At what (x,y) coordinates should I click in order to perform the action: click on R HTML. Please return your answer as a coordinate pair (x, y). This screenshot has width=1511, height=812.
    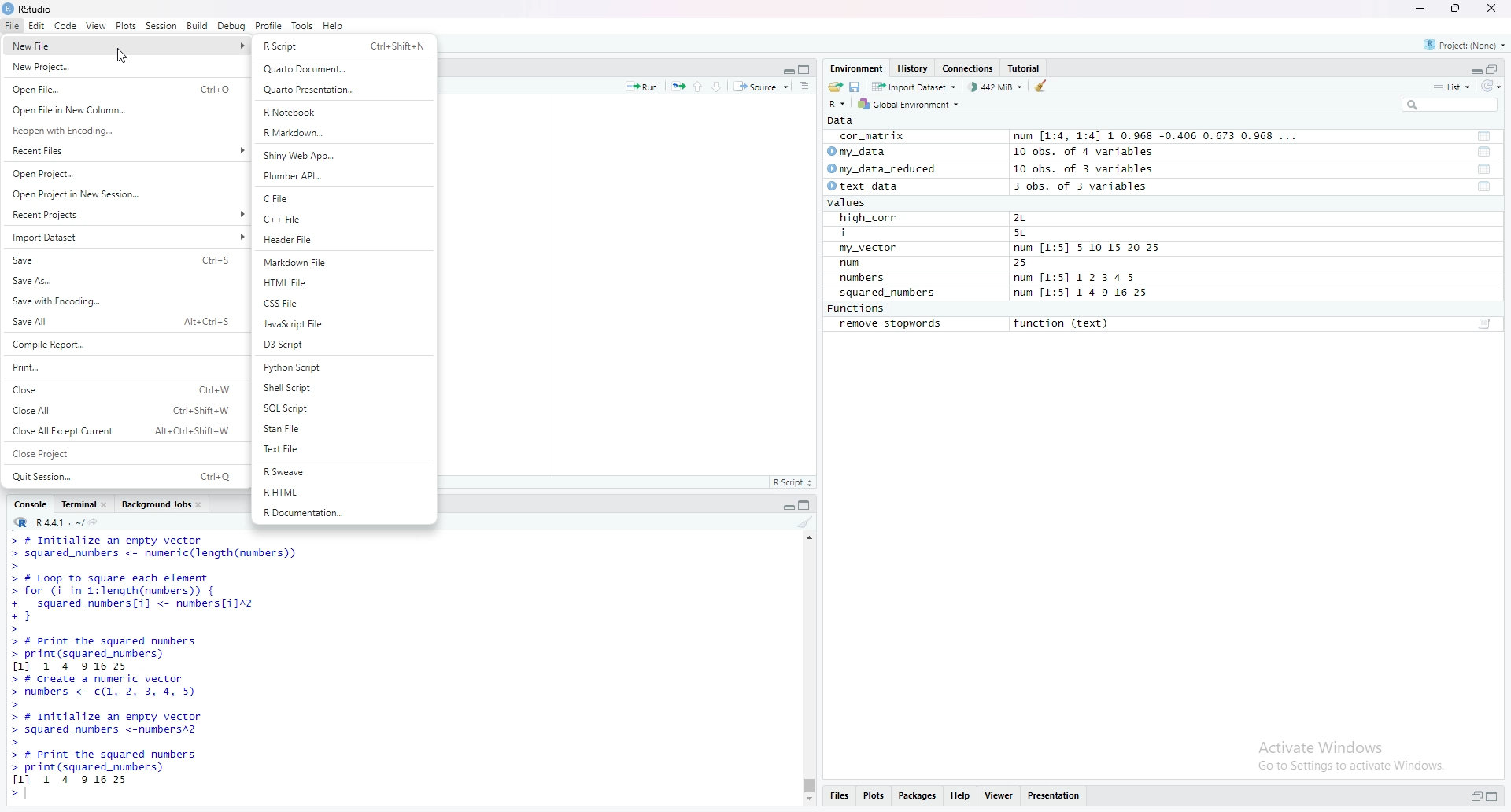
    Looking at the image, I should click on (344, 493).